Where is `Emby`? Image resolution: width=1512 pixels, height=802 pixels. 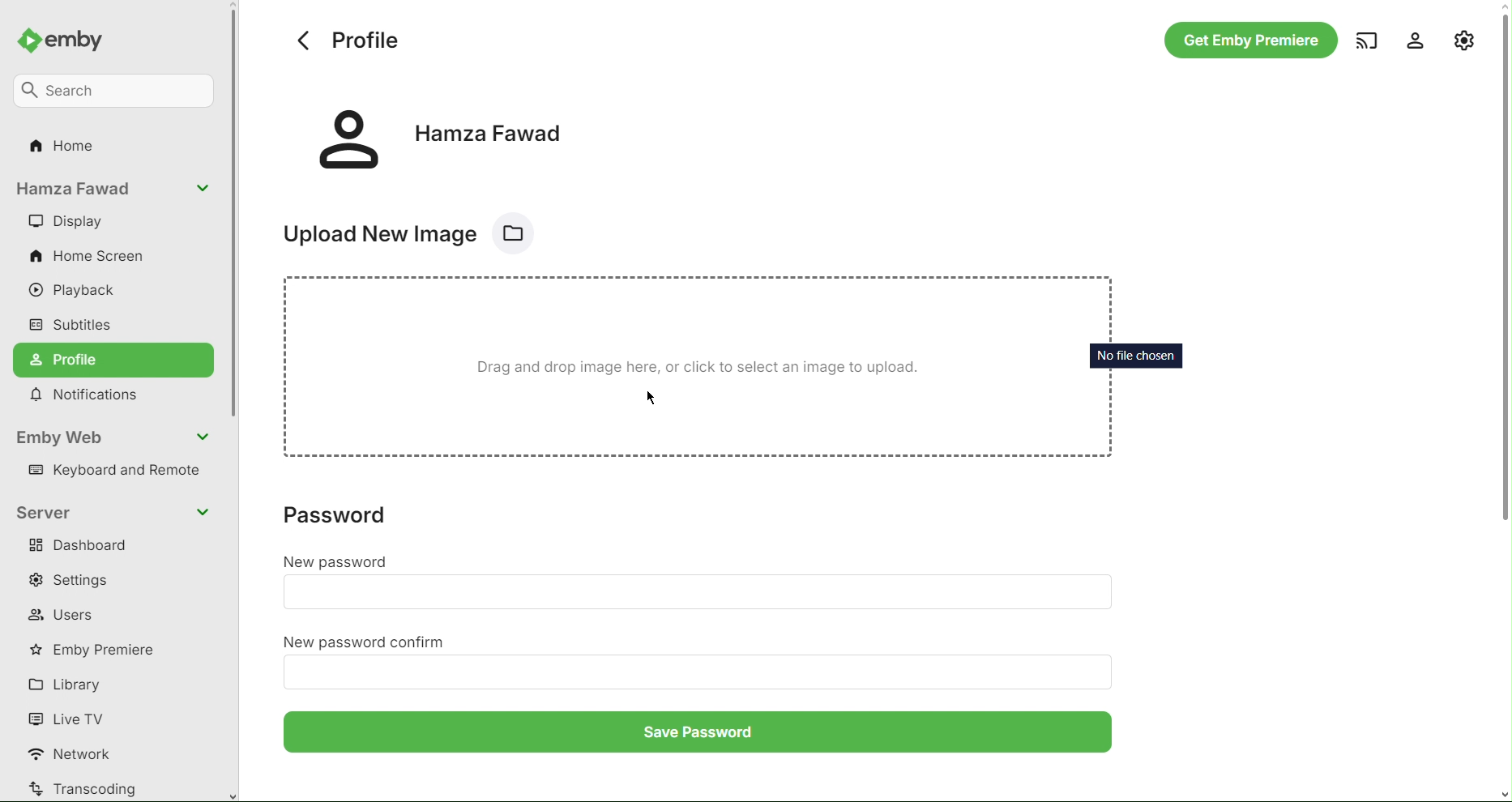
Emby is located at coordinates (68, 37).